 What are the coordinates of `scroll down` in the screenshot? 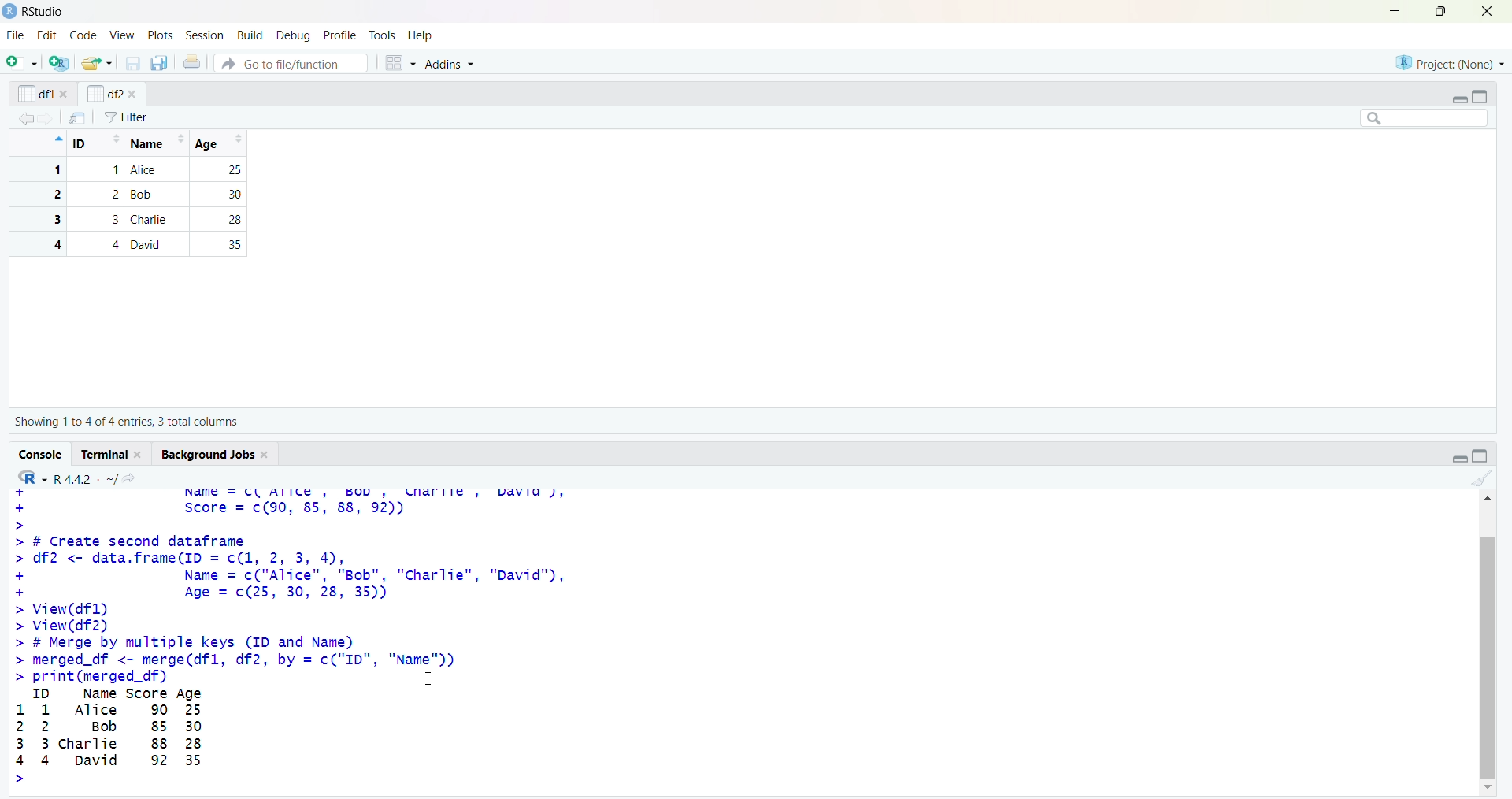 It's located at (1490, 788).